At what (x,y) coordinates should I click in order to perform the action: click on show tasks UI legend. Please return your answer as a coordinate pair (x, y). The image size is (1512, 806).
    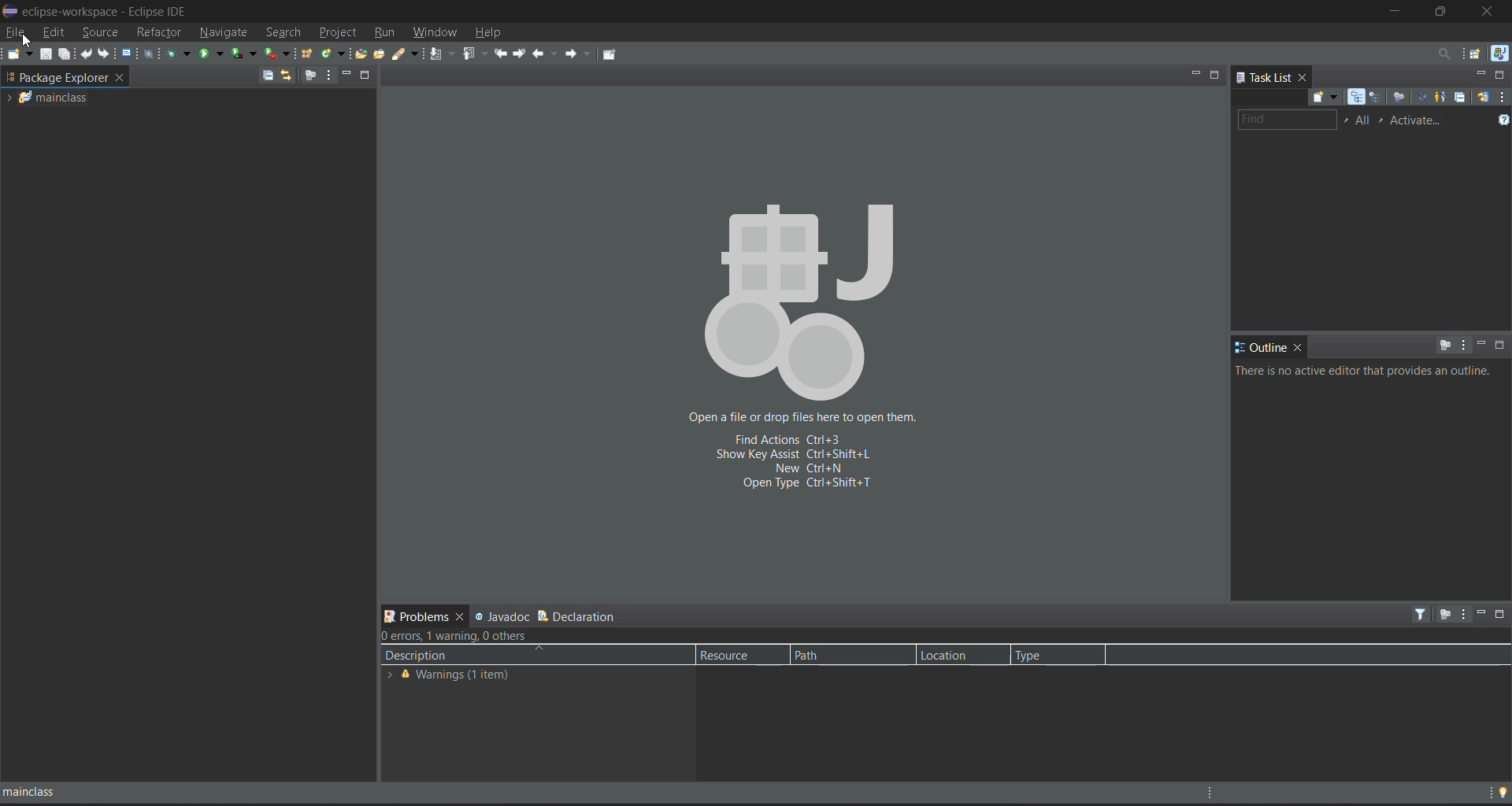
    Looking at the image, I should click on (1503, 120).